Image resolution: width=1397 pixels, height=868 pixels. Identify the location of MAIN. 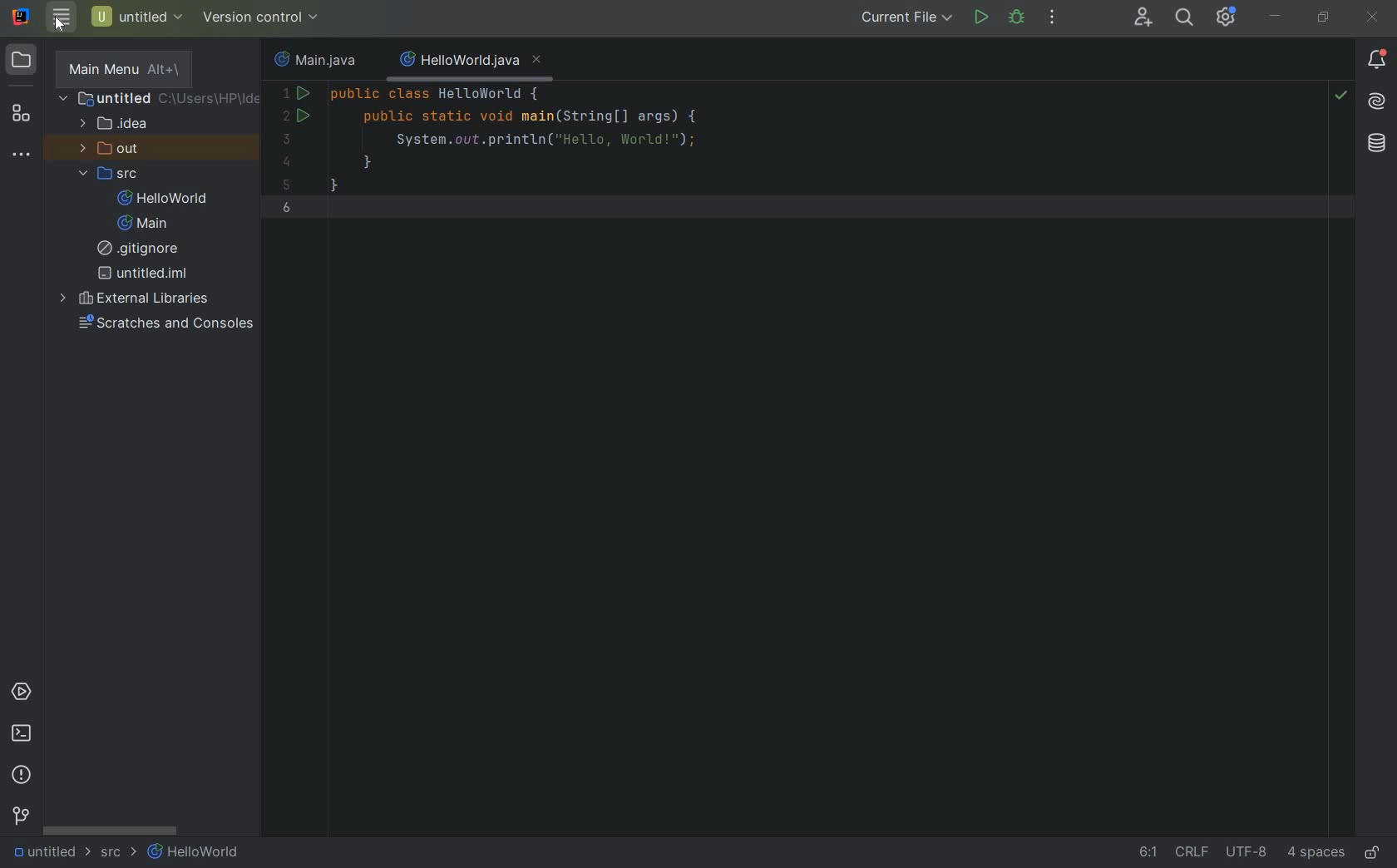
(145, 224).